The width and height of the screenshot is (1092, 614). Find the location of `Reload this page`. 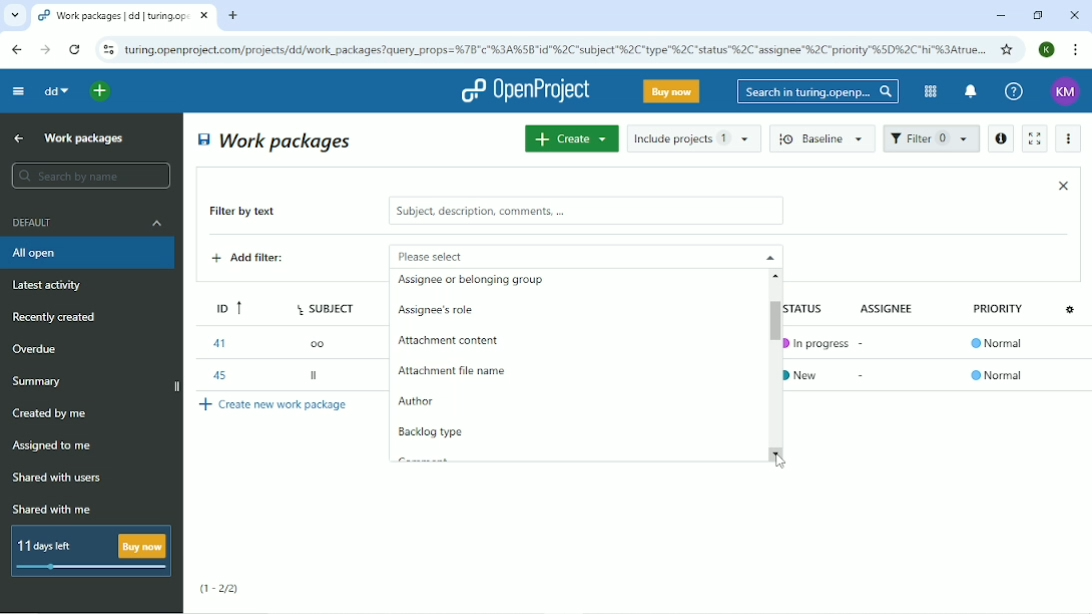

Reload this page is located at coordinates (74, 49).